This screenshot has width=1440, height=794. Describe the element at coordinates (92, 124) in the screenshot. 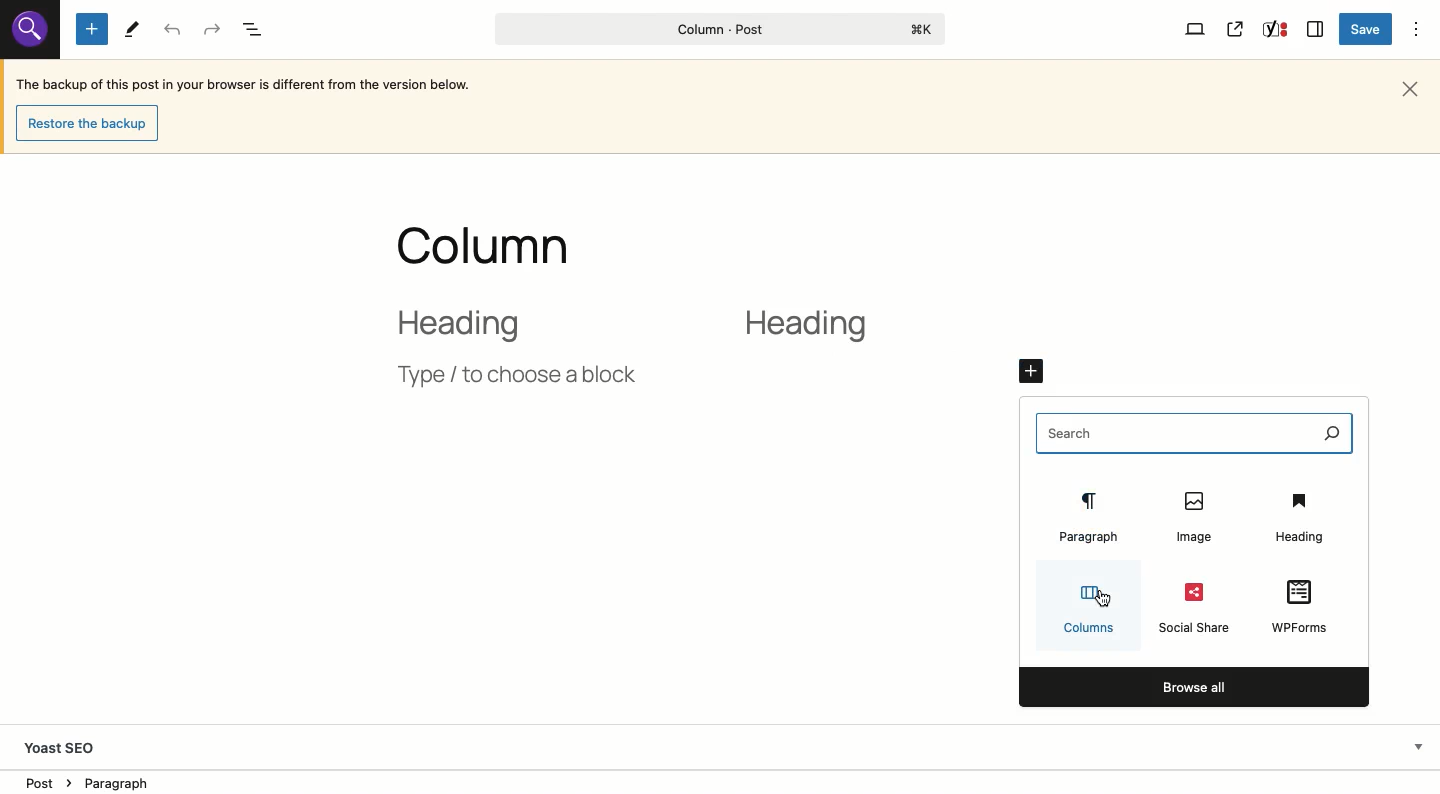

I see `Restore the backup` at that location.